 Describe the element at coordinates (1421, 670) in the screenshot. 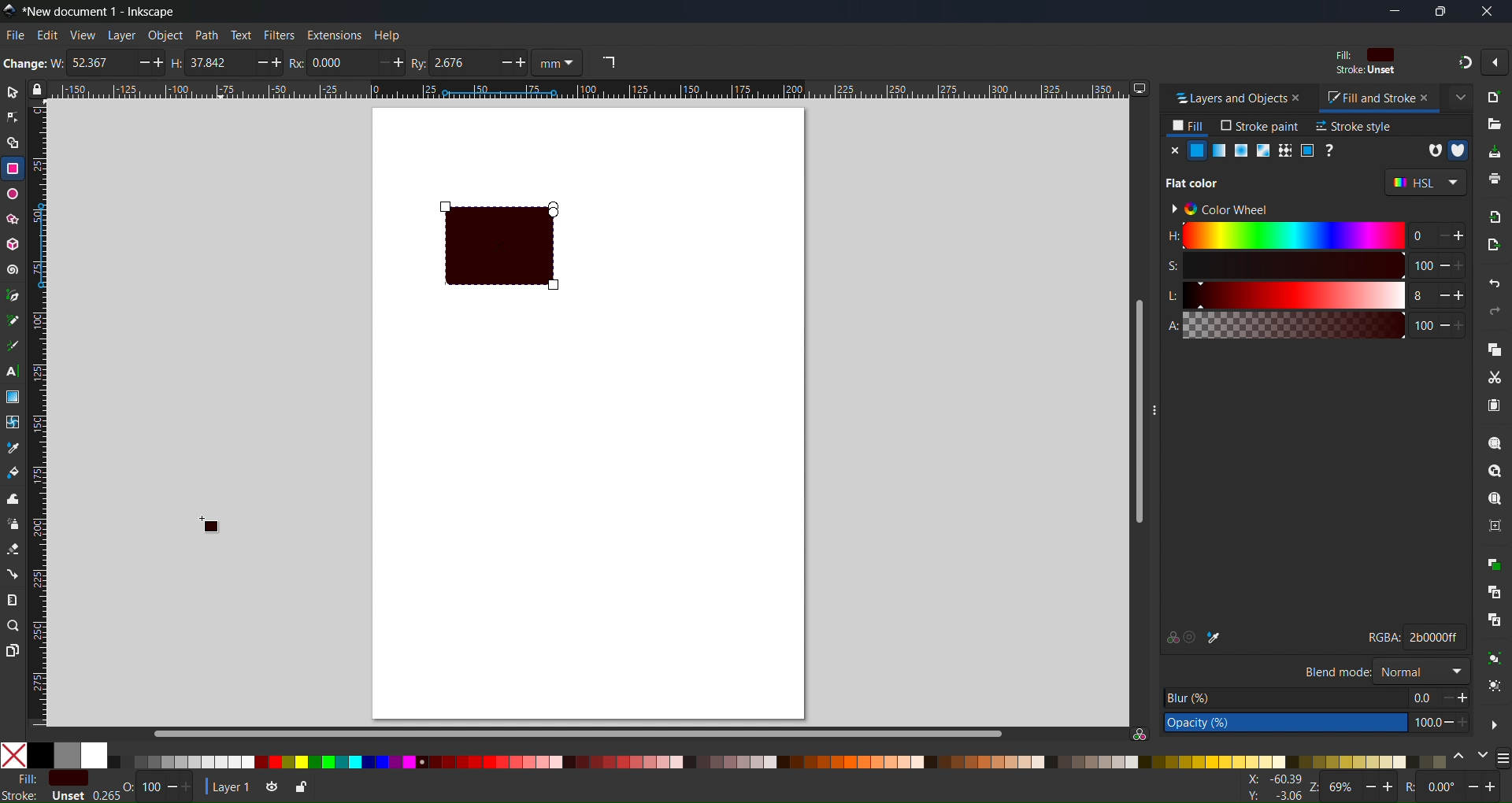

I see `Blend mode` at that location.